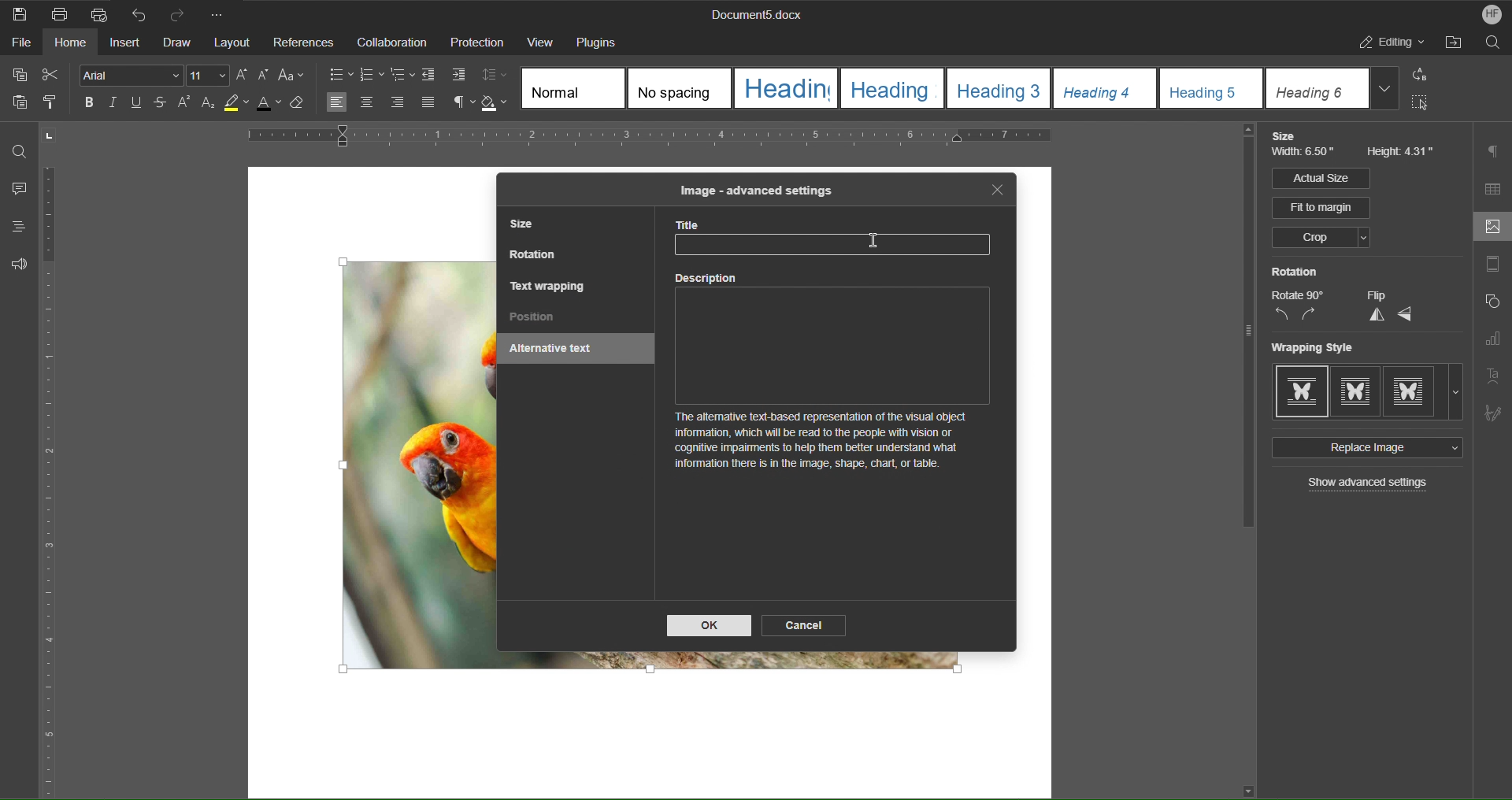 This screenshot has width=1512, height=800. I want to click on Document Title, so click(754, 16).